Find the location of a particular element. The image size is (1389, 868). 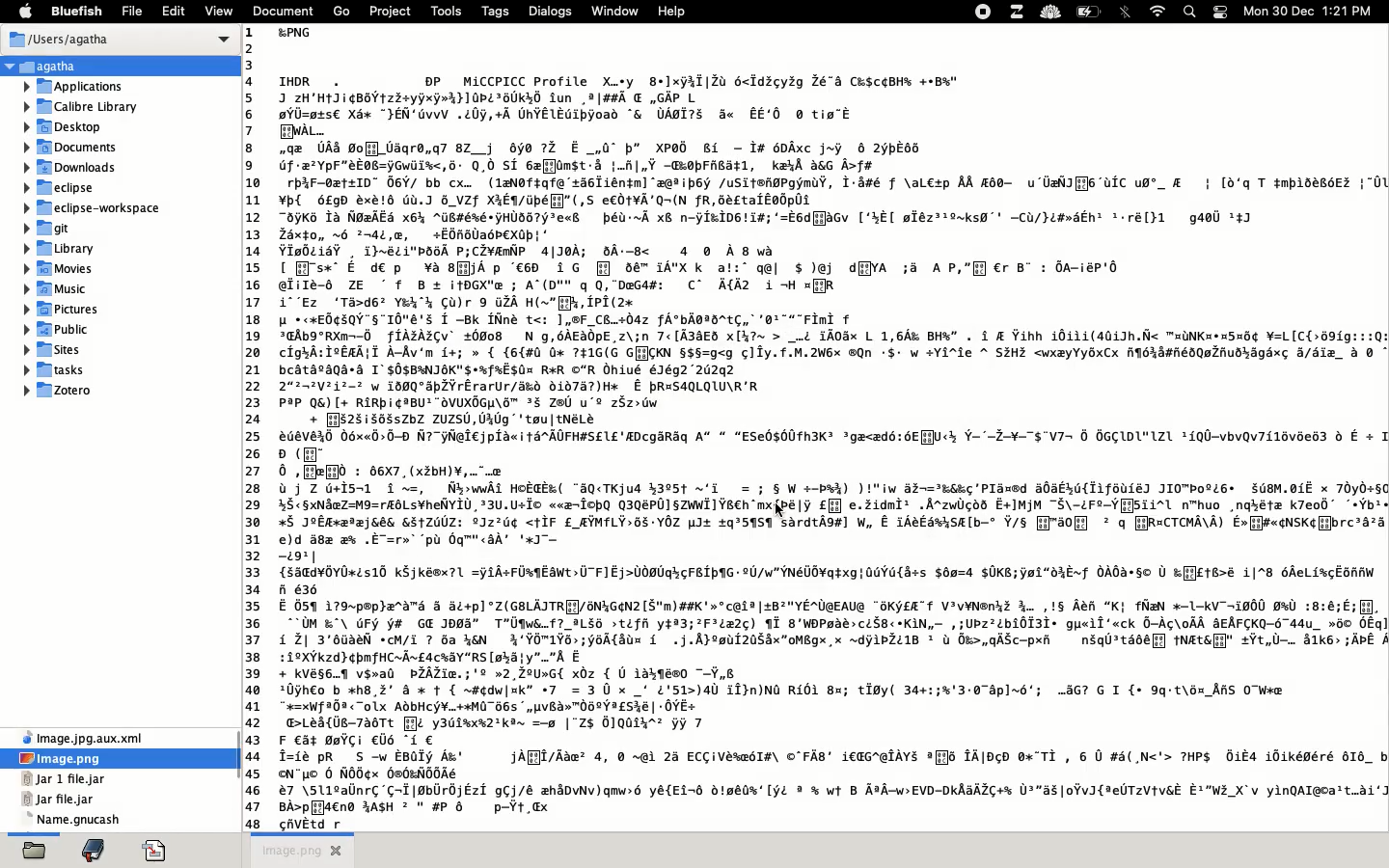

desktop is located at coordinates (66, 125).